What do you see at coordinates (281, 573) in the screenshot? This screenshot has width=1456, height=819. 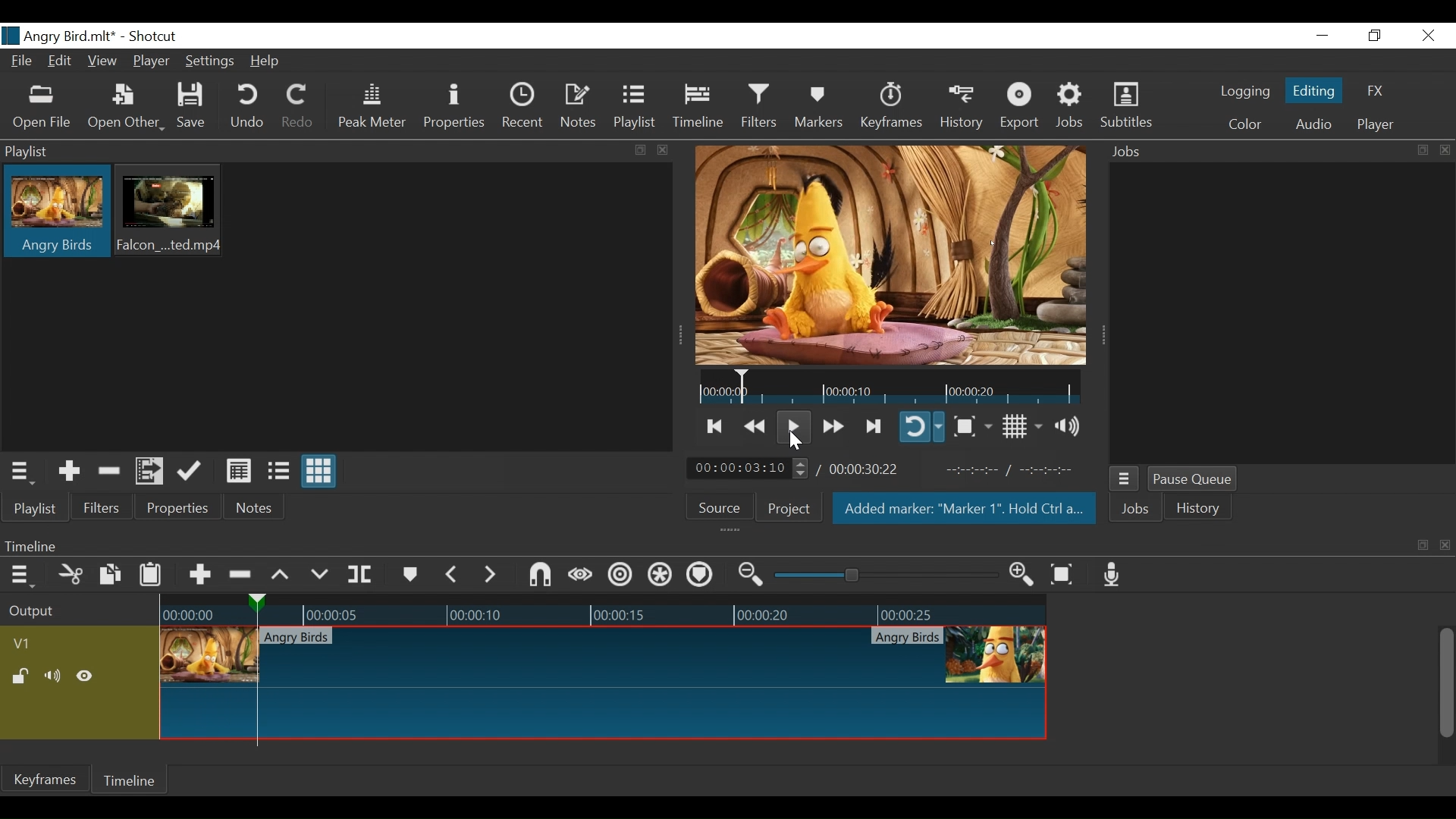 I see `Lift` at bounding box center [281, 573].